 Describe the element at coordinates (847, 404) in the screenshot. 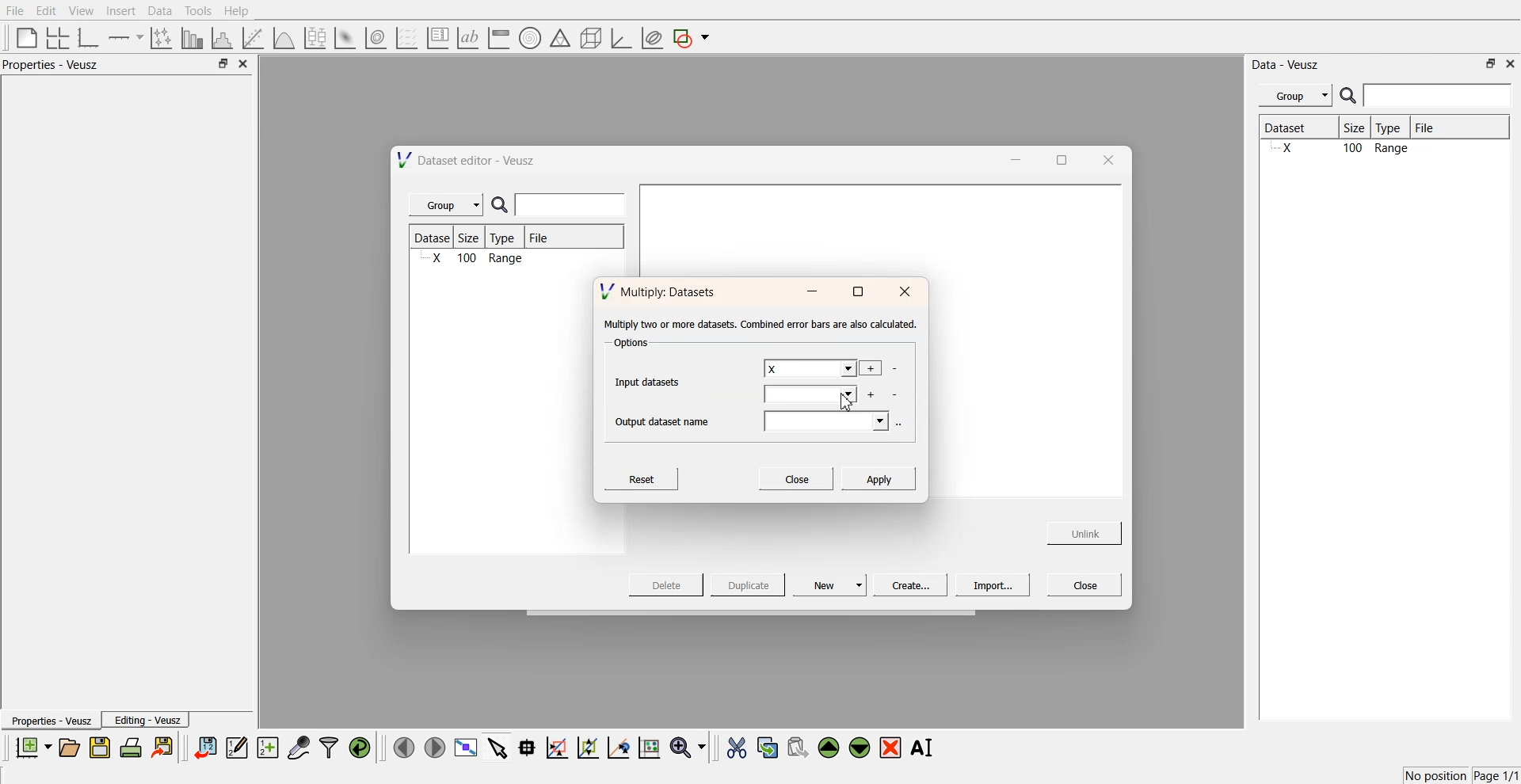

I see `cursor` at that location.